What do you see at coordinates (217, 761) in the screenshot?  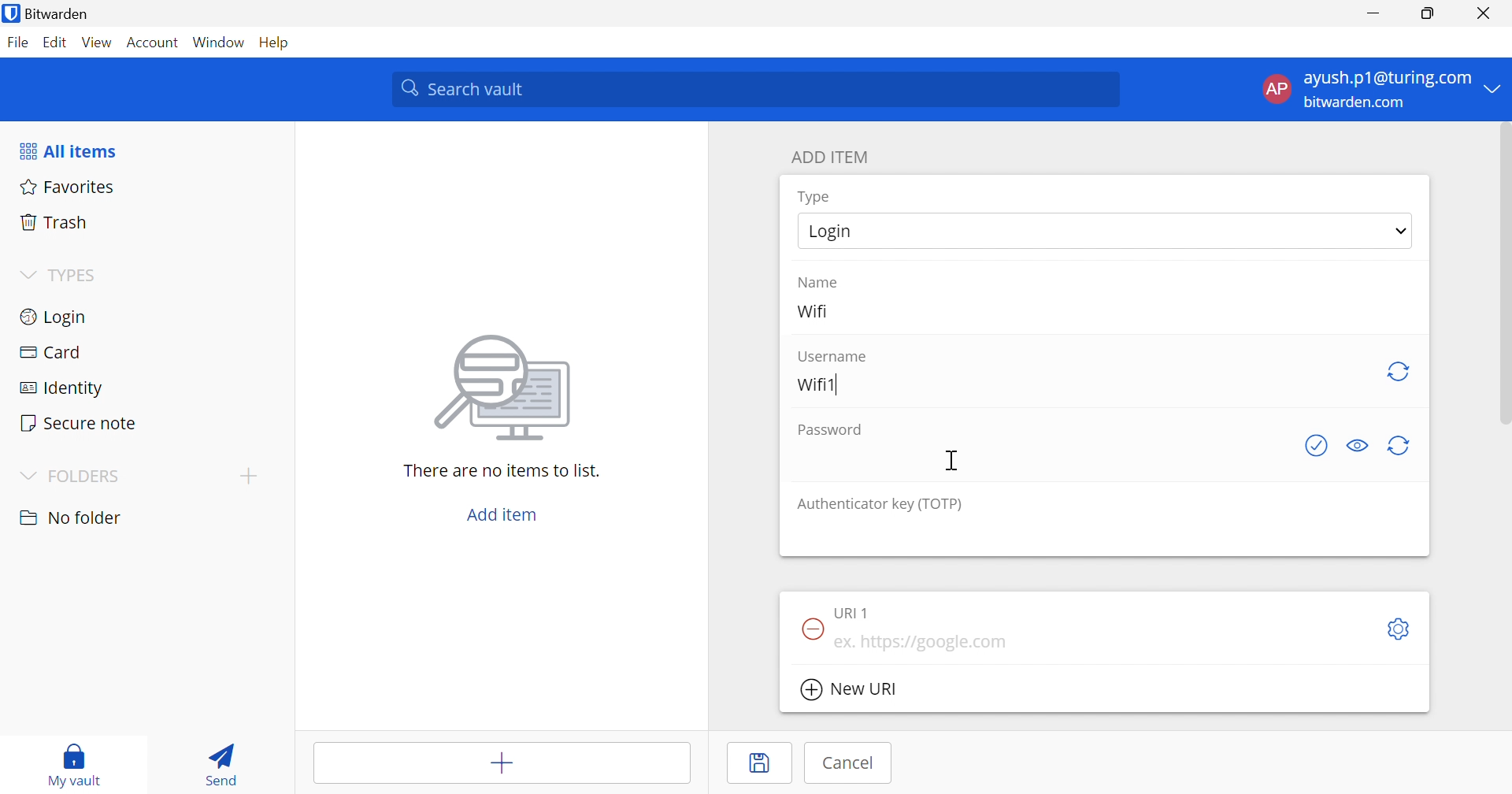 I see `Send` at bounding box center [217, 761].